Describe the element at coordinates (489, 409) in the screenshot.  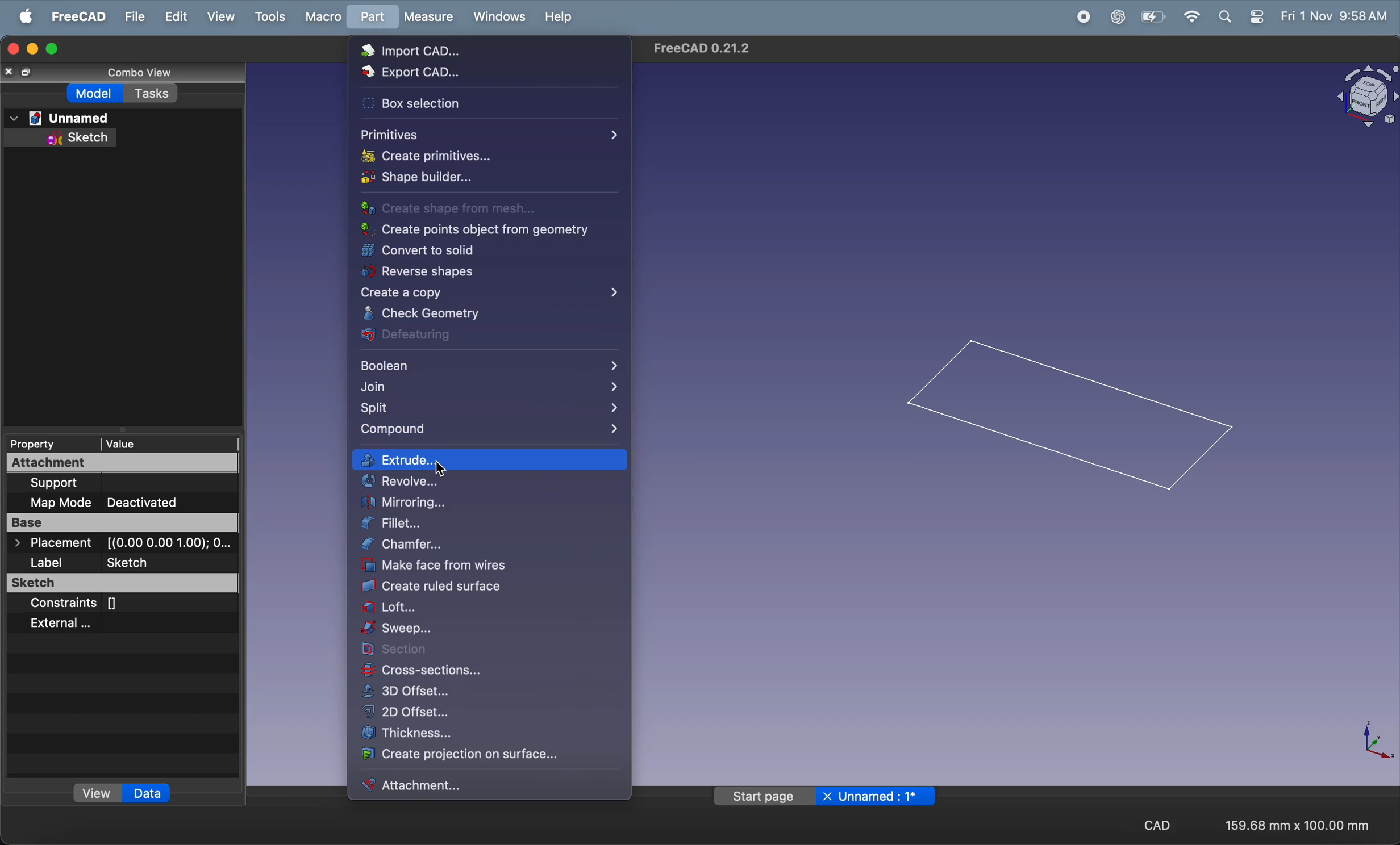
I see `split` at that location.